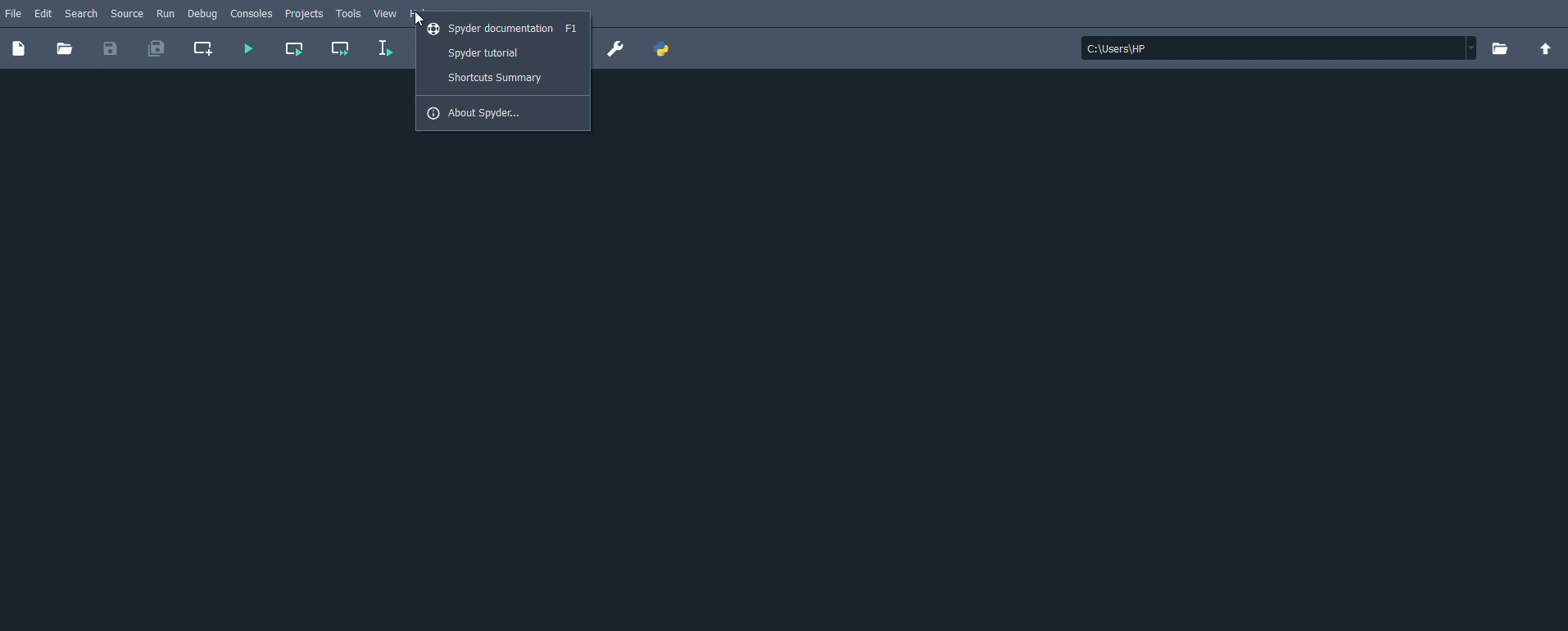 The image size is (1568, 631). I want to click on Edit, so click(46, 13).